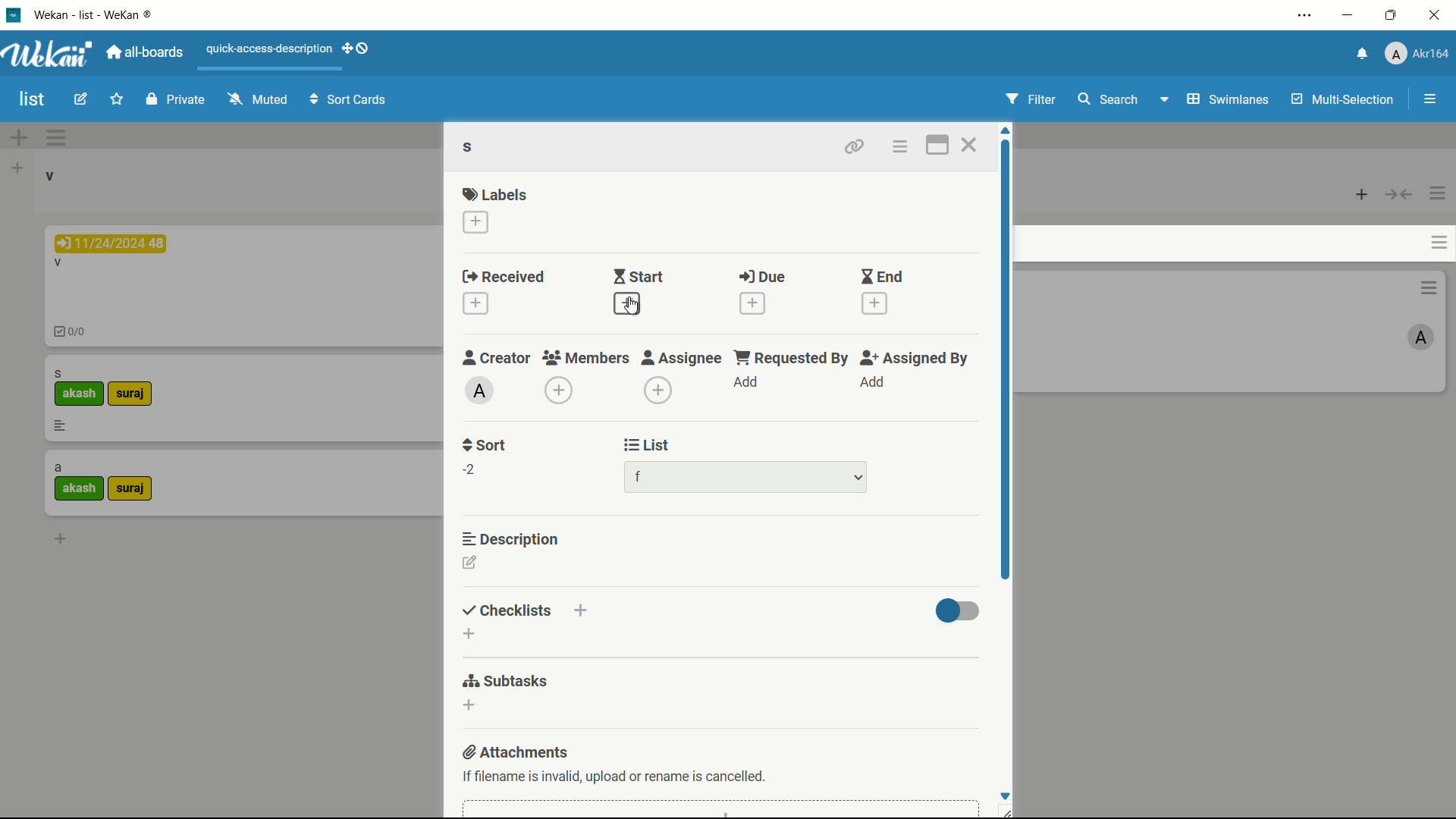 Image resolution: width=1456 pixels, height=819 pixels. I want to click on collapse, so click(1398, 196).